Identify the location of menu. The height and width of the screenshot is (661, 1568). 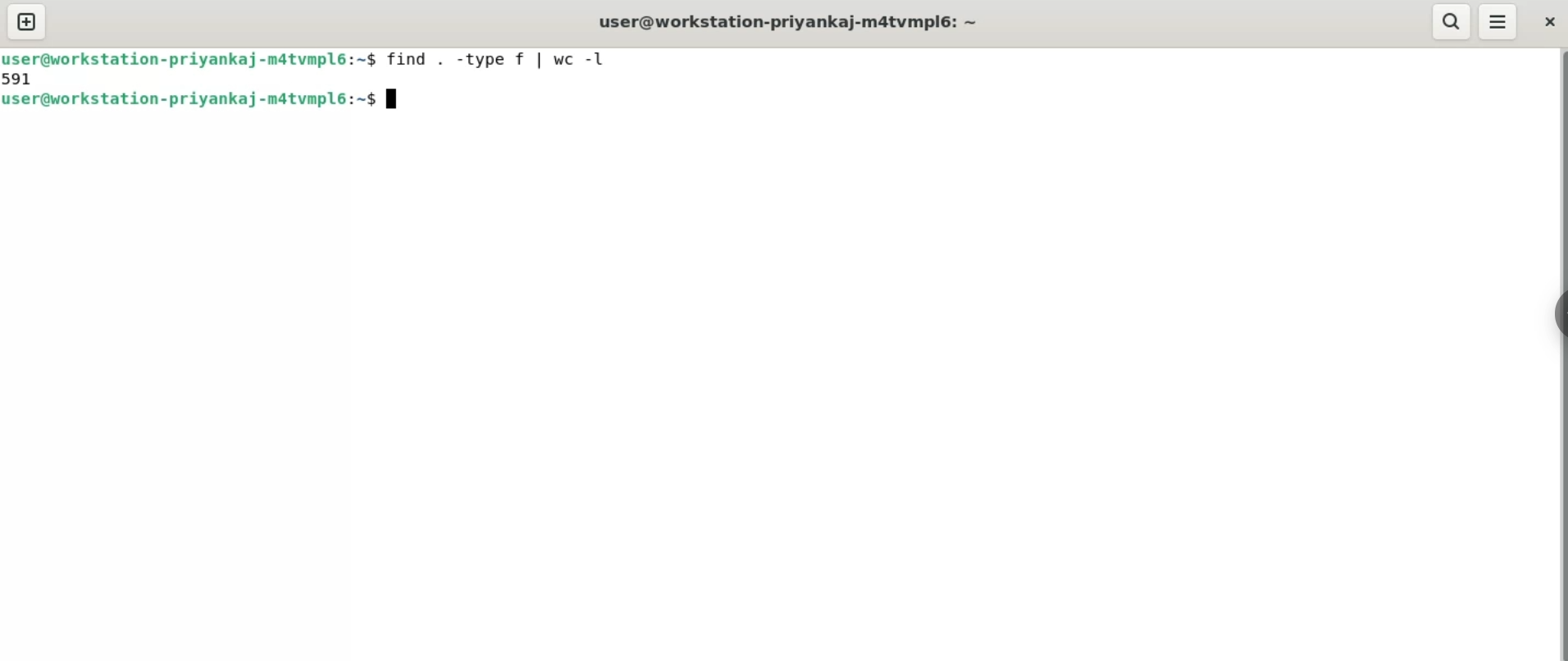
(1496, 21).